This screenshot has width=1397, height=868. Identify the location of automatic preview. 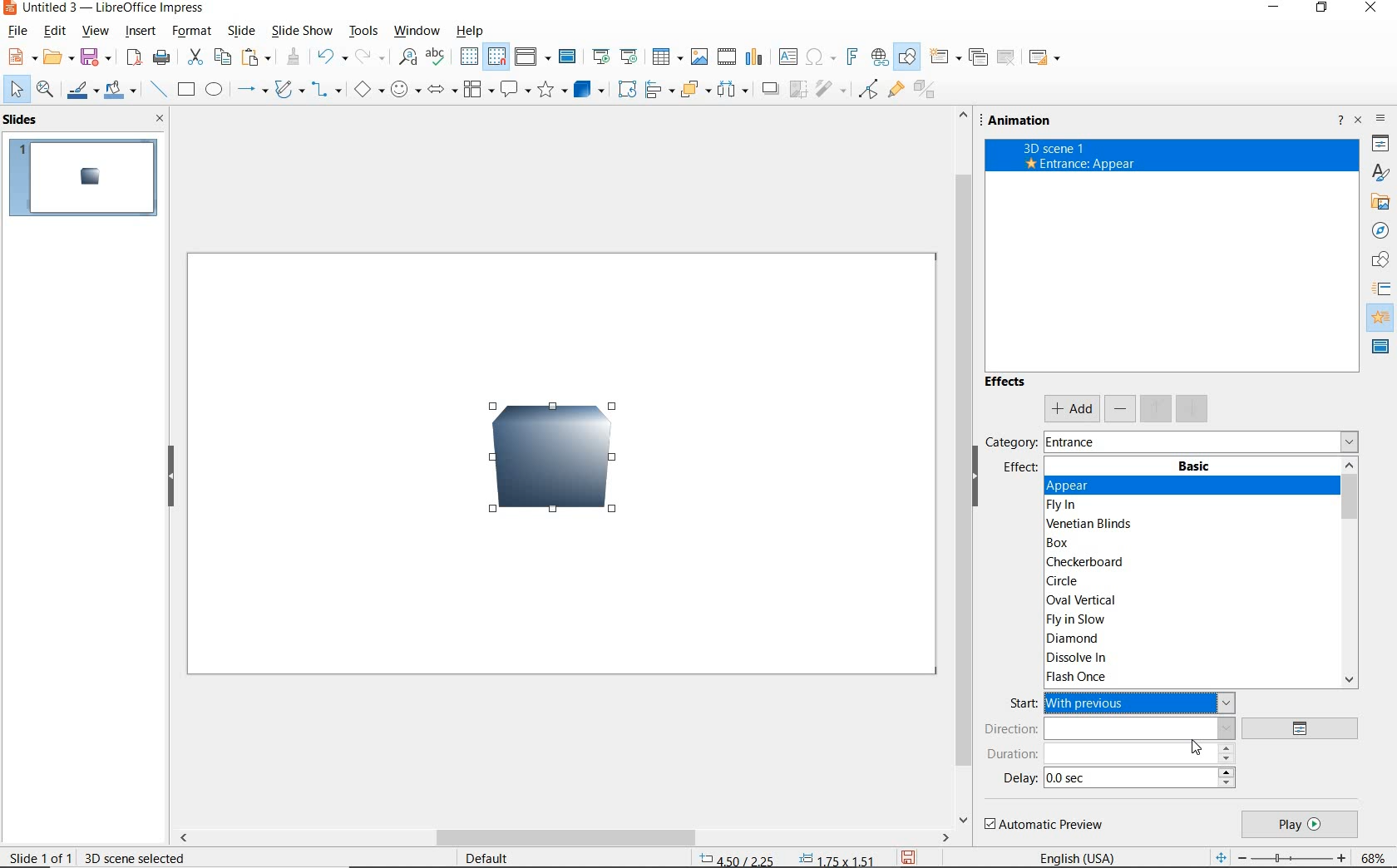
(1045, 825).